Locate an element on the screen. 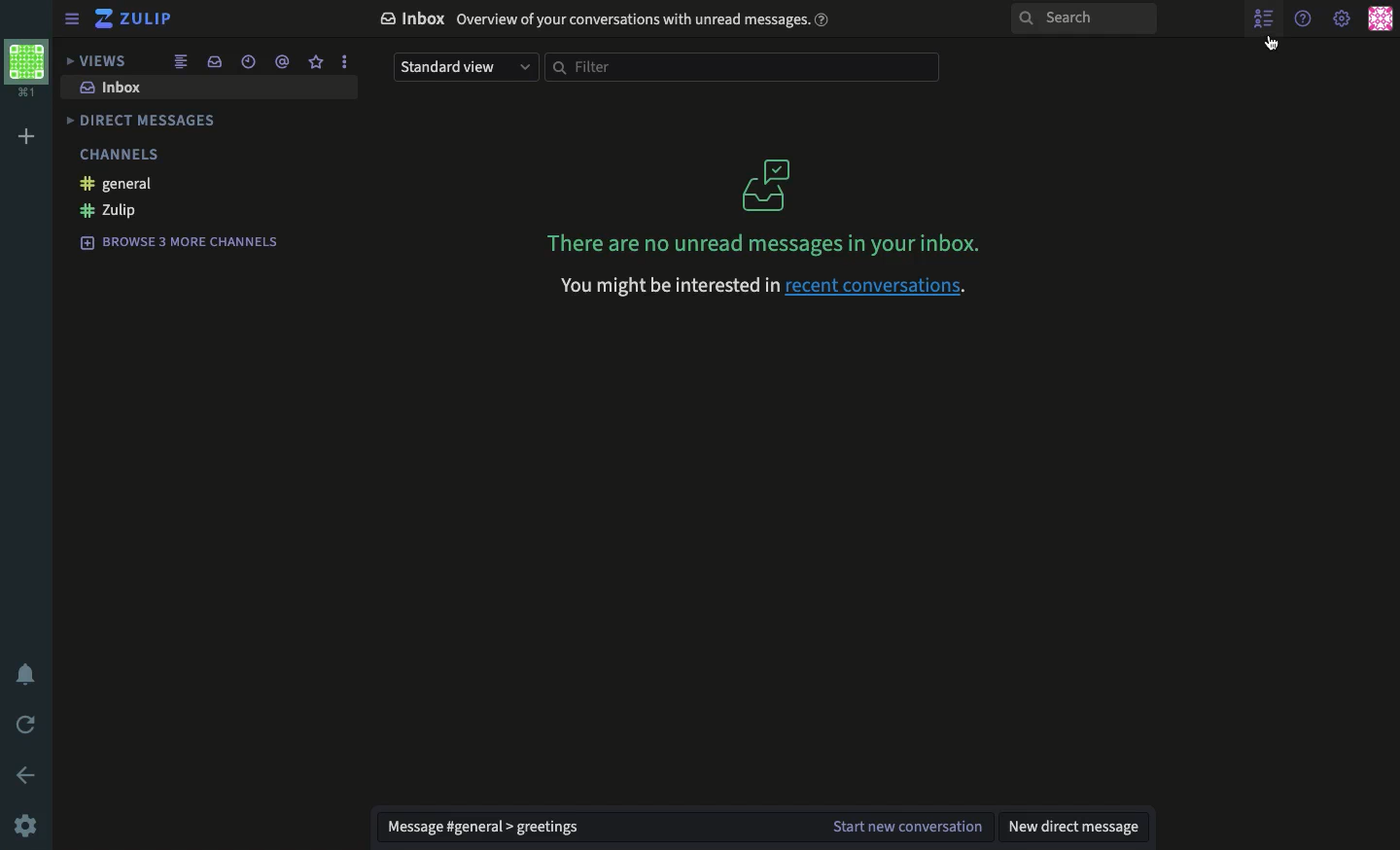  There are no unread messages in your inbox. is located at coordinates (757, 205).